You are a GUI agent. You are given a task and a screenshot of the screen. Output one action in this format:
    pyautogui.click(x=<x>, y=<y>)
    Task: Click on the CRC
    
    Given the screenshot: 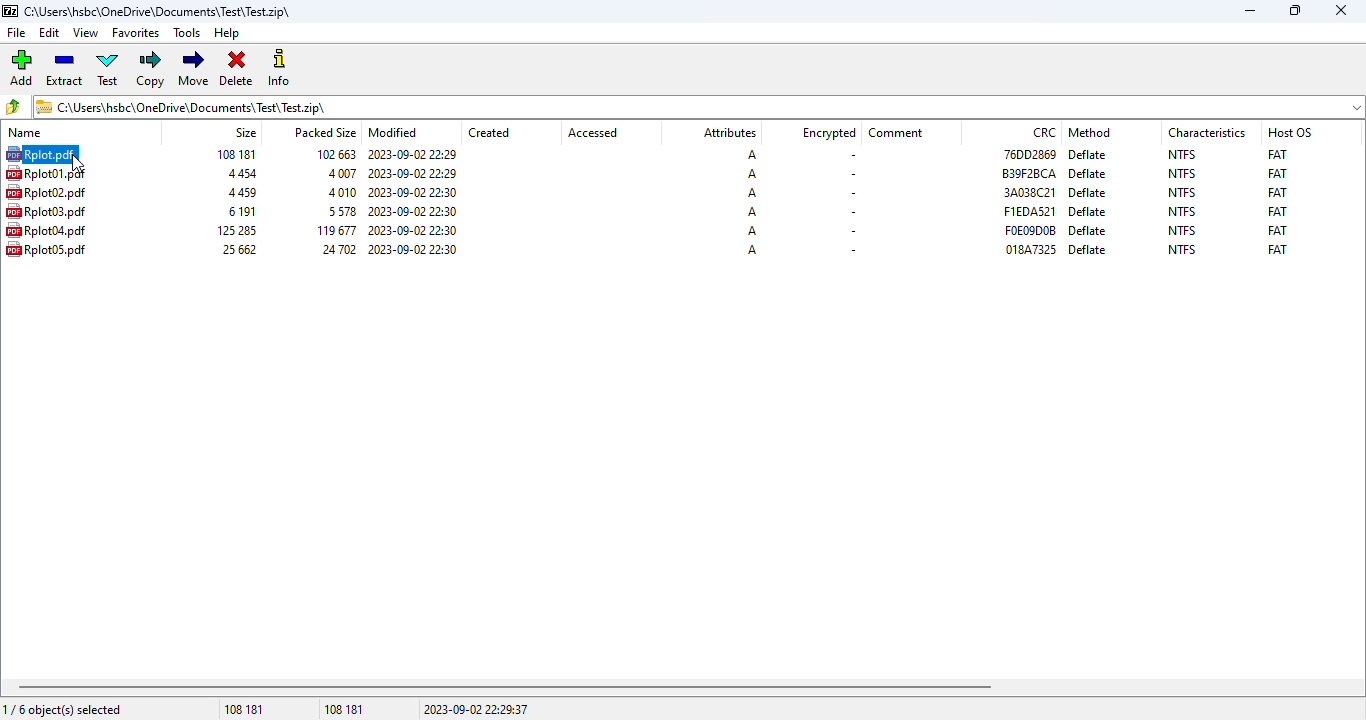 What is the action you would take?
    pyautogui.click(x=1029, y=192)
    